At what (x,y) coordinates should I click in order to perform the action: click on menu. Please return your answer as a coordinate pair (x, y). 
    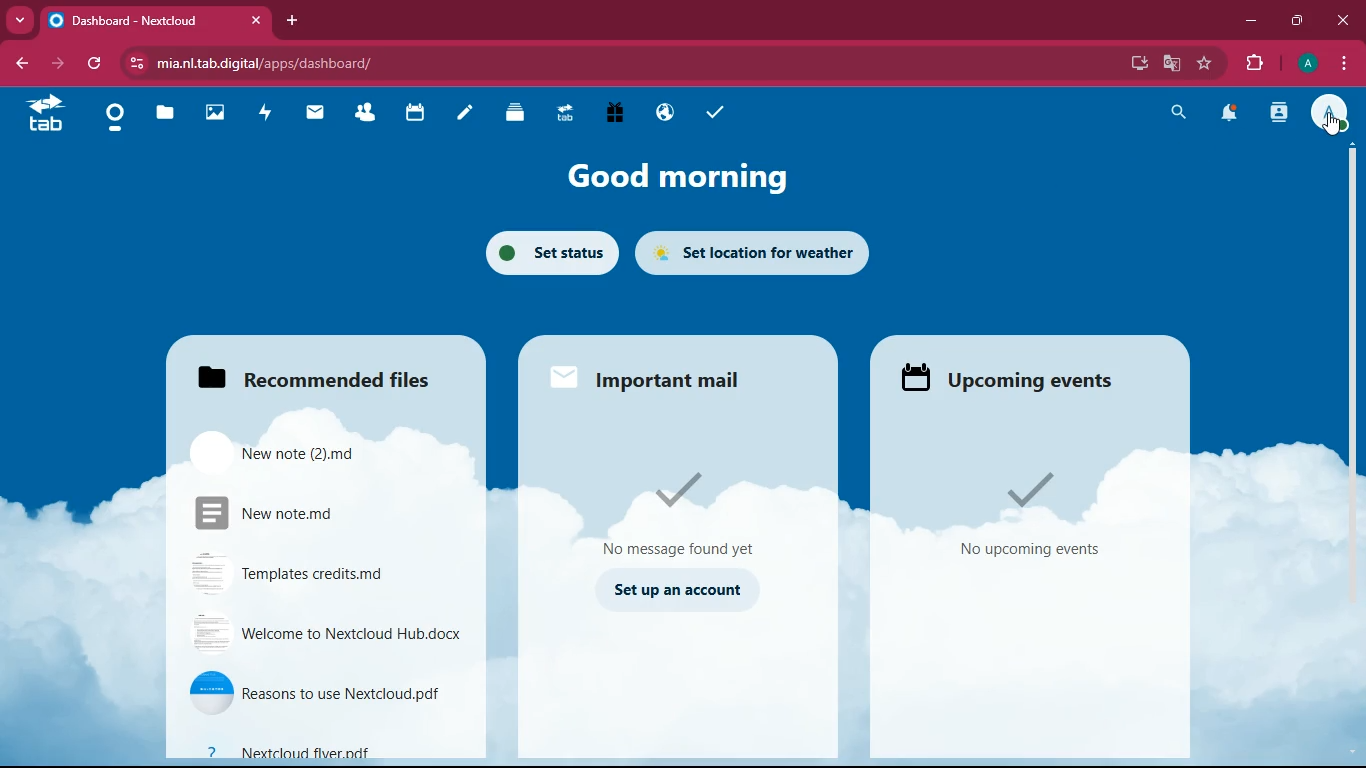
    Looking at the image, I should click on (1340, 64).